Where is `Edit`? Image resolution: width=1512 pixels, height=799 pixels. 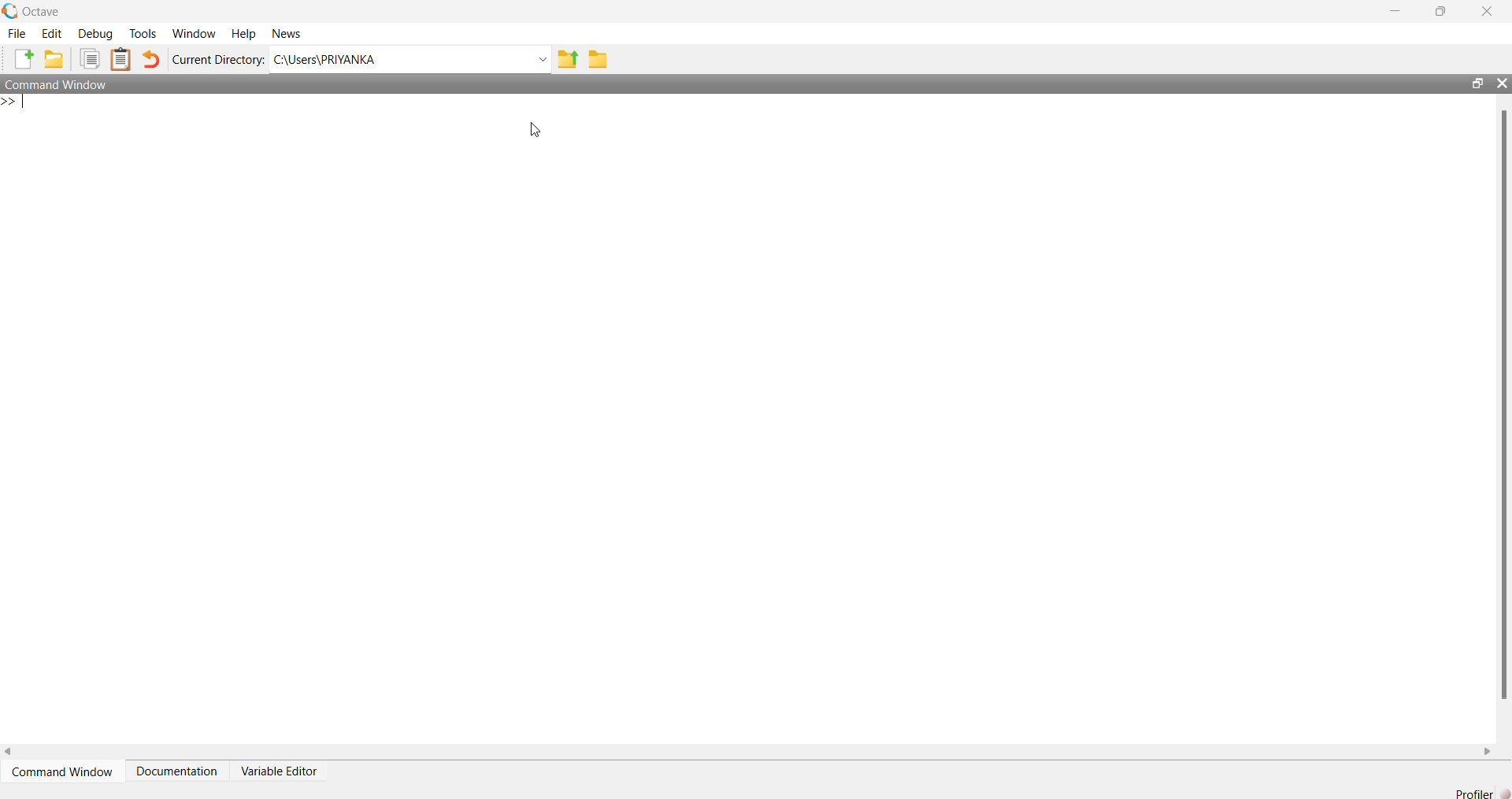 Edit is located at coordinates (50, 32).